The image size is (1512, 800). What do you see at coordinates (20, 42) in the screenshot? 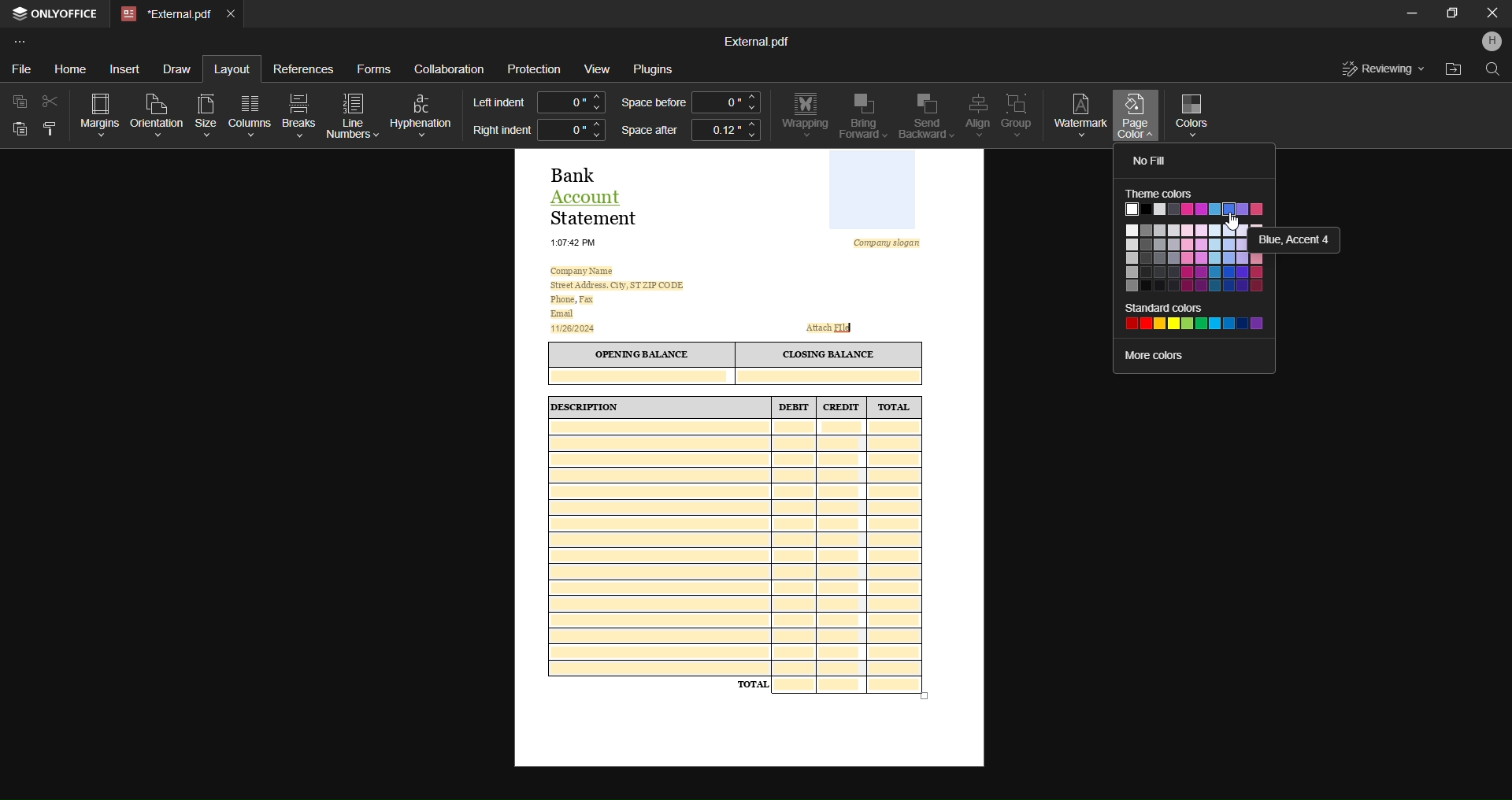
I see `Customize Toolbar` at bounding box center [20, 42].